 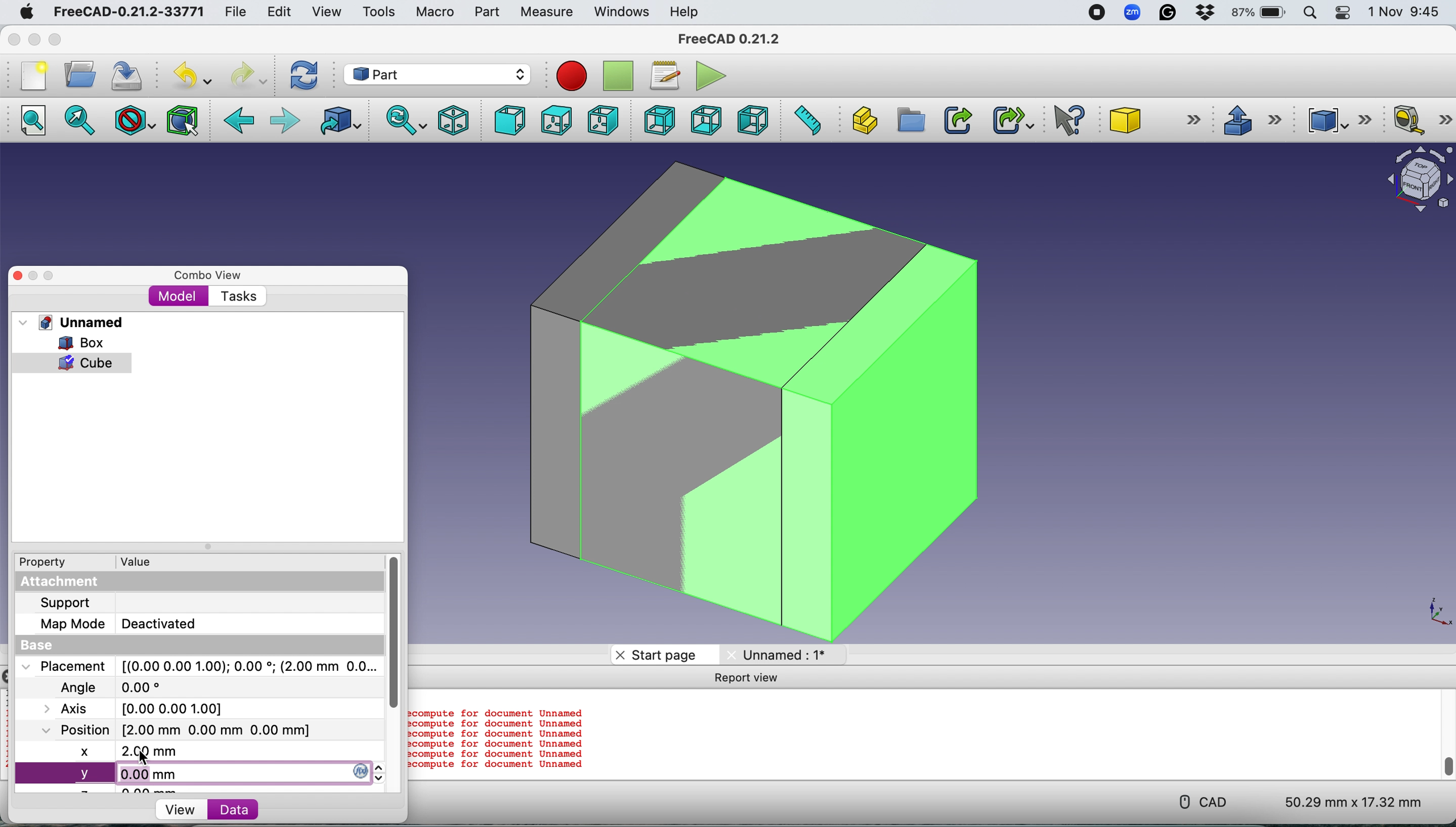 I want to click on Part, so click(x=486, y=12).